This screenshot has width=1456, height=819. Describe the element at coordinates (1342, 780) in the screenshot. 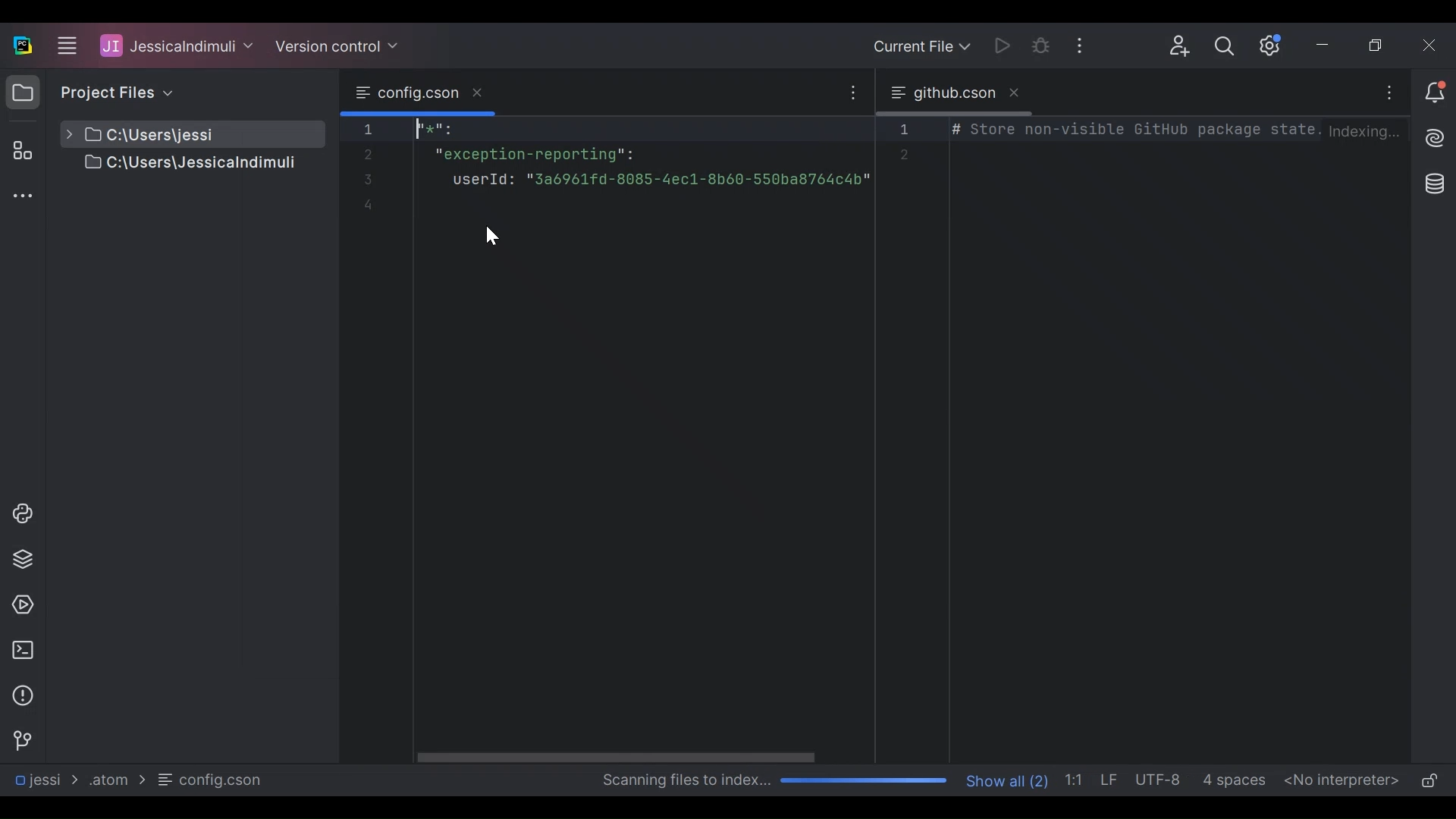

I see `No interpreters` at that location.